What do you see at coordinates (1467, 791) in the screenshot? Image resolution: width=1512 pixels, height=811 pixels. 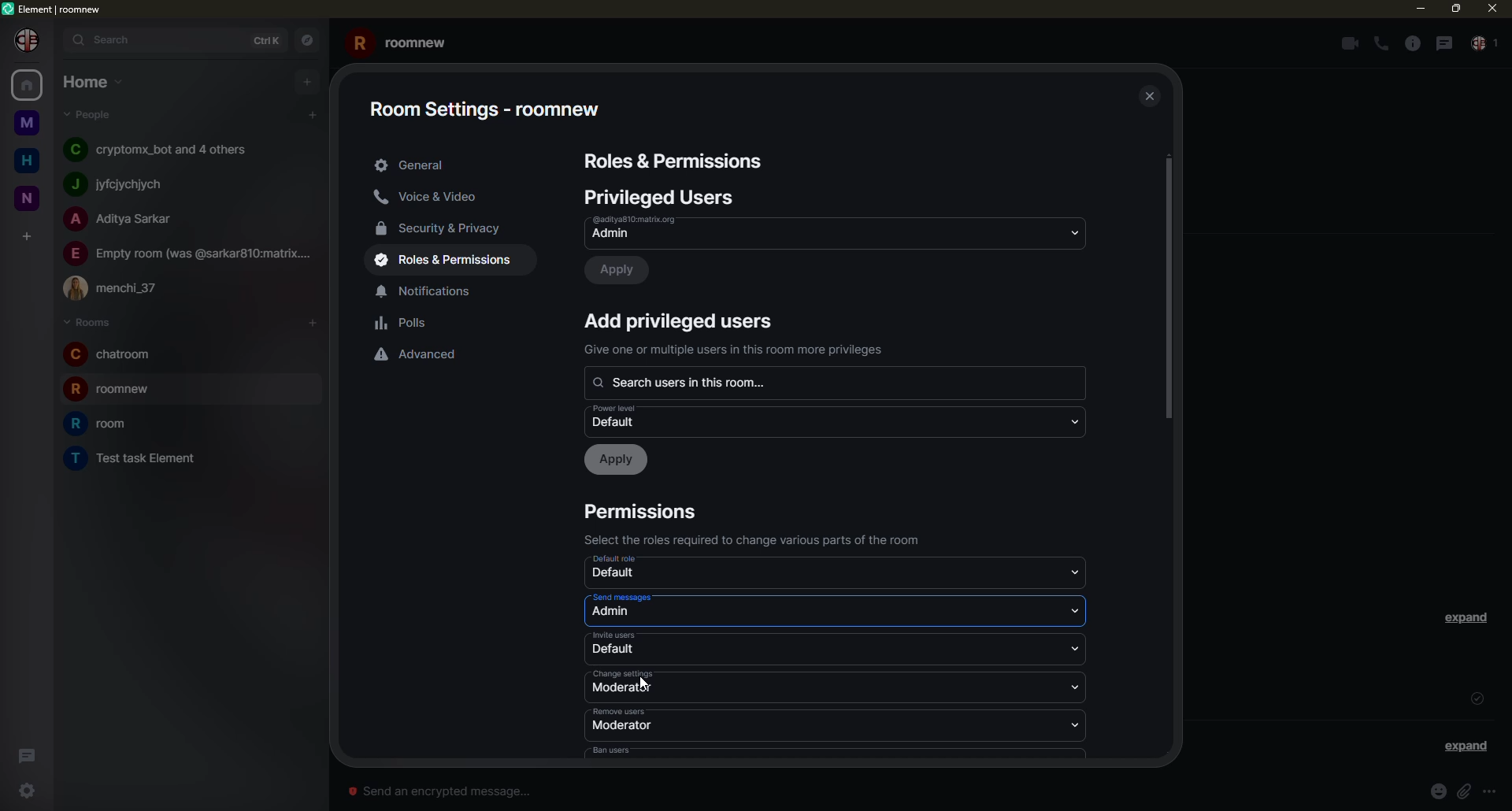 I see `attach` at bounding box center [1467, 791].